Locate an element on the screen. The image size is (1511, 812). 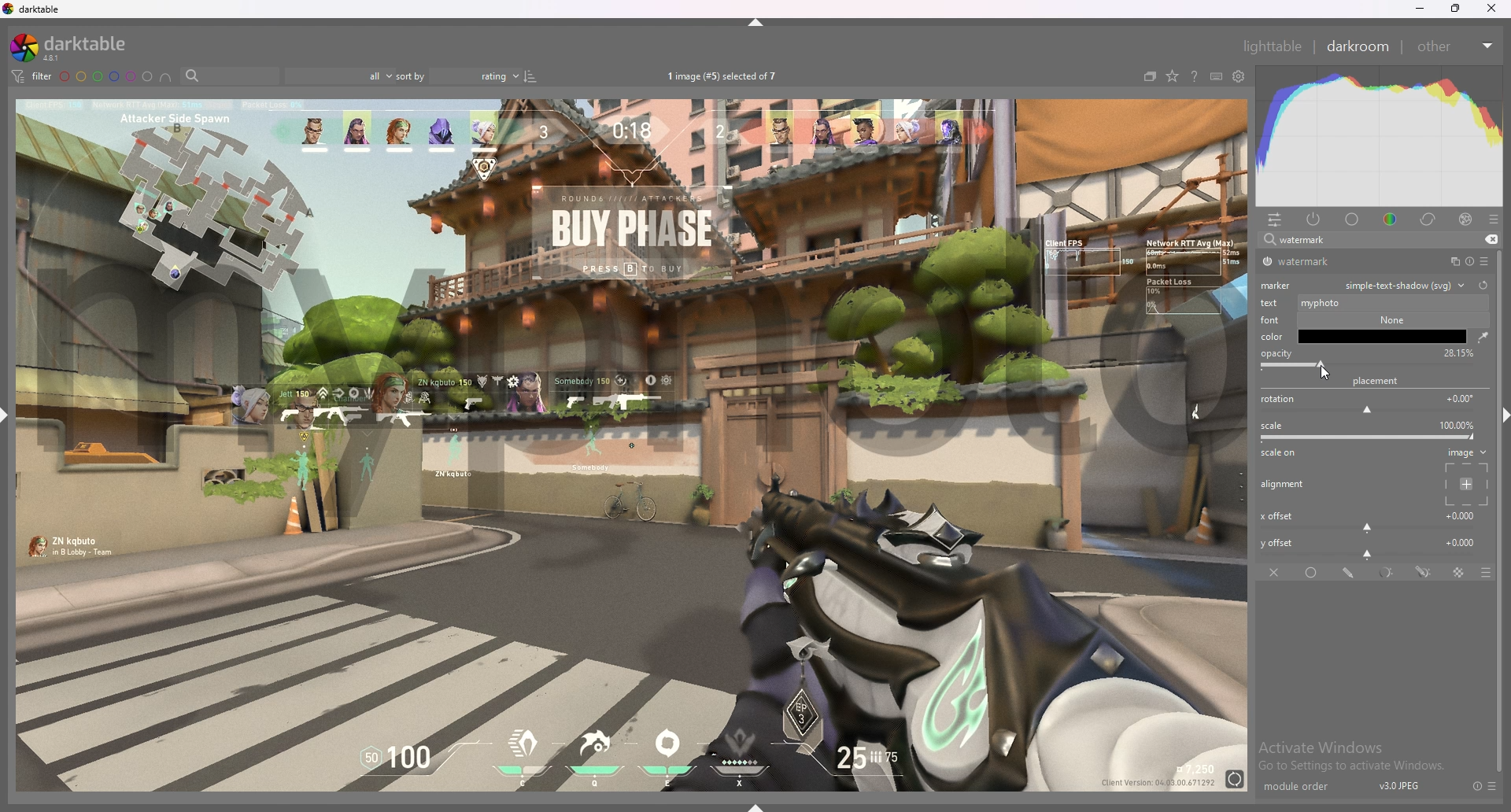
keyboard shortcut is located at coordinates (1216, 77).